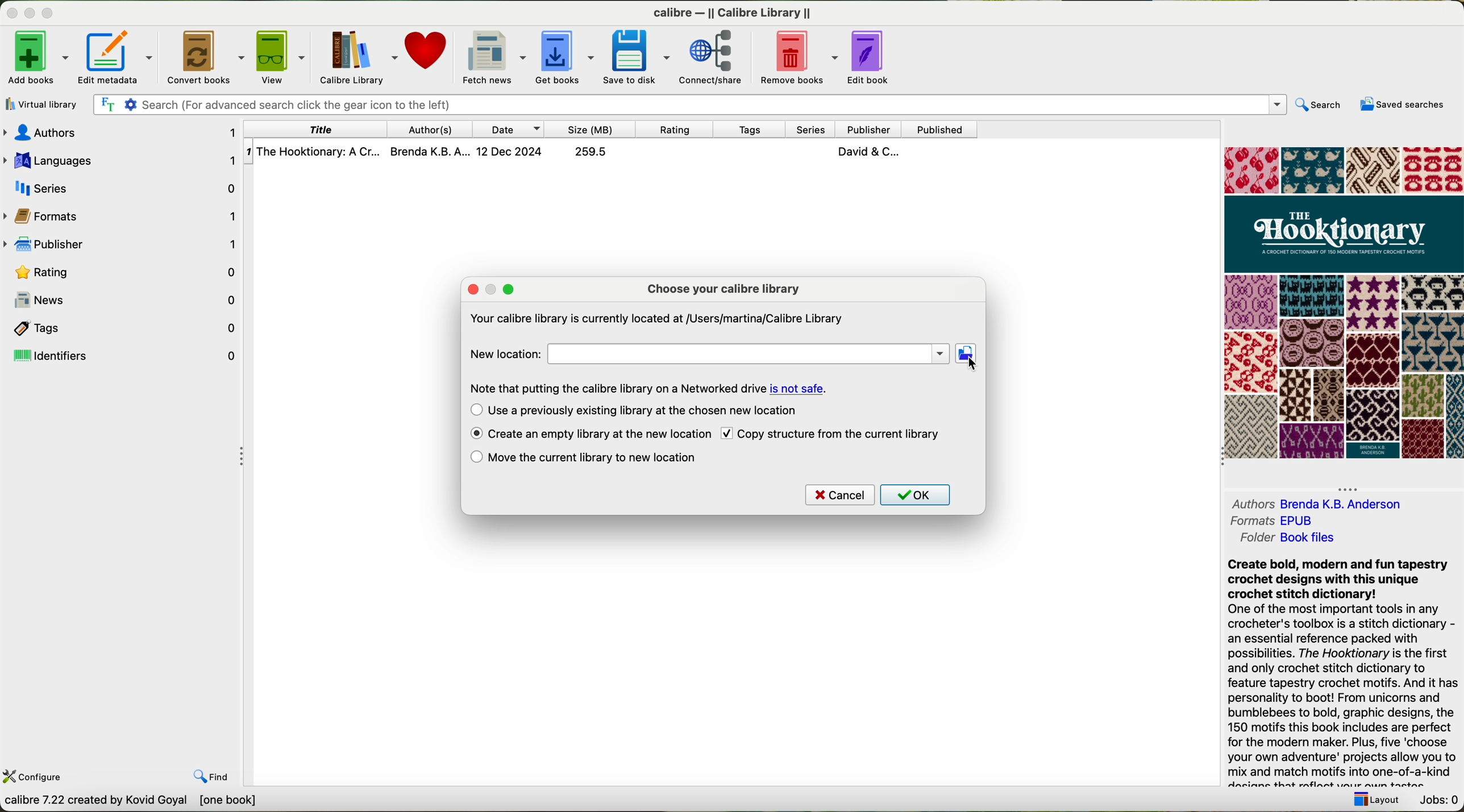 This screenshot has width=1464, height=812. Describe the element at coordinates (279, 56) in the screenshot. I see `view` at that location.